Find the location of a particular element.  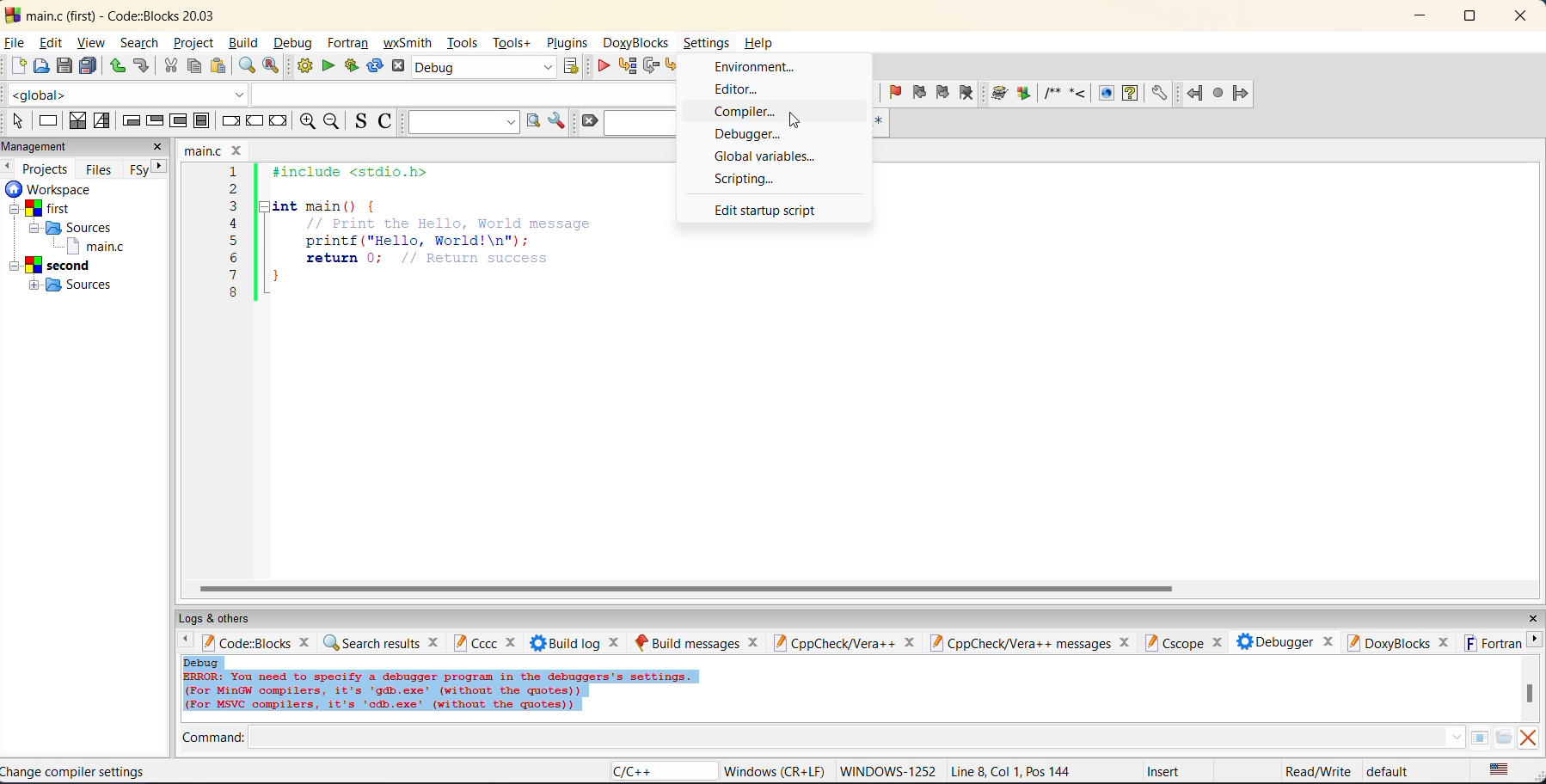

class is located at coordinates (460, 93).